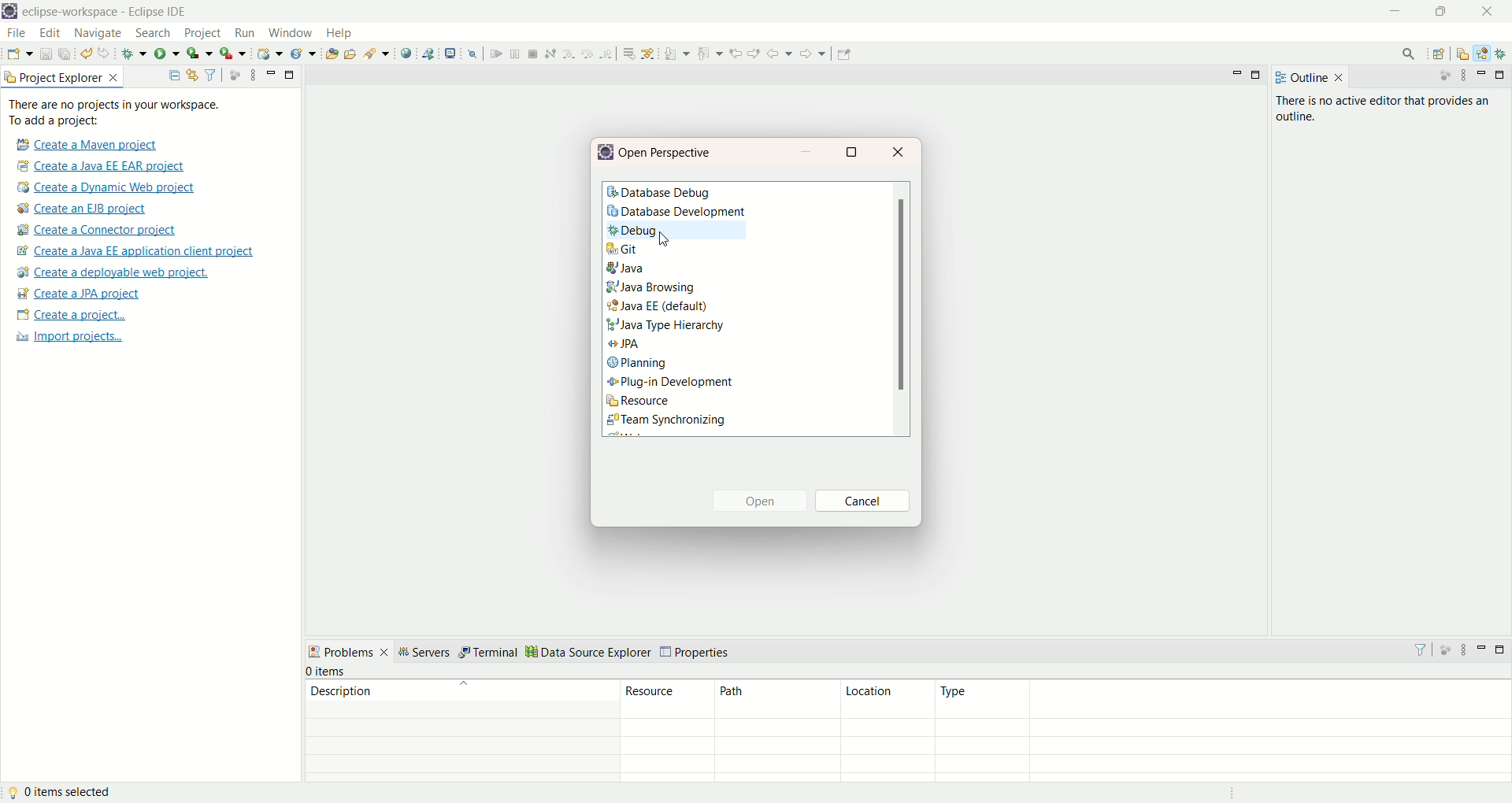 The height and width of the screenshot is (803, 1512). I want to click on 0 items, so click(329, 670).